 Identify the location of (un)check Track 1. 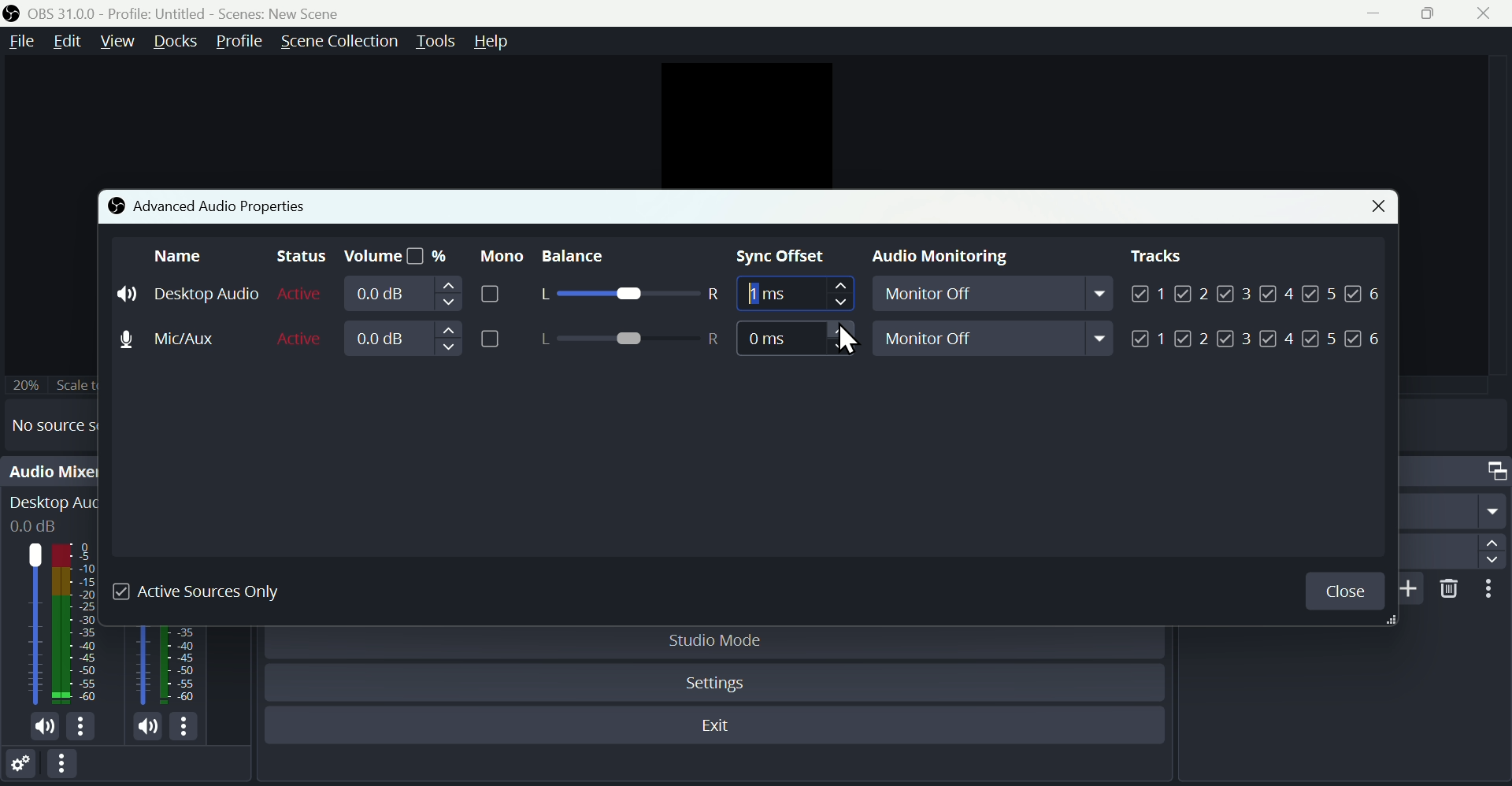
(1149, 339).